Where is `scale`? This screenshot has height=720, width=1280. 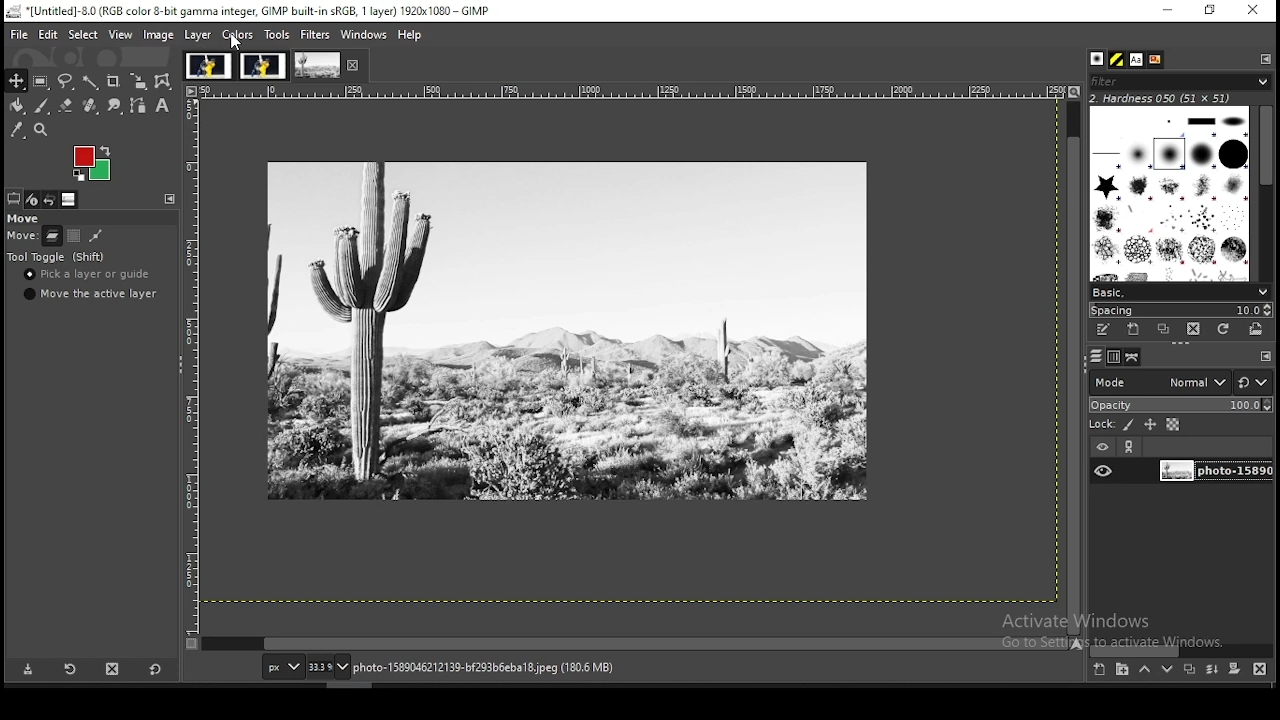
scale is located at coordinates (629, 91).